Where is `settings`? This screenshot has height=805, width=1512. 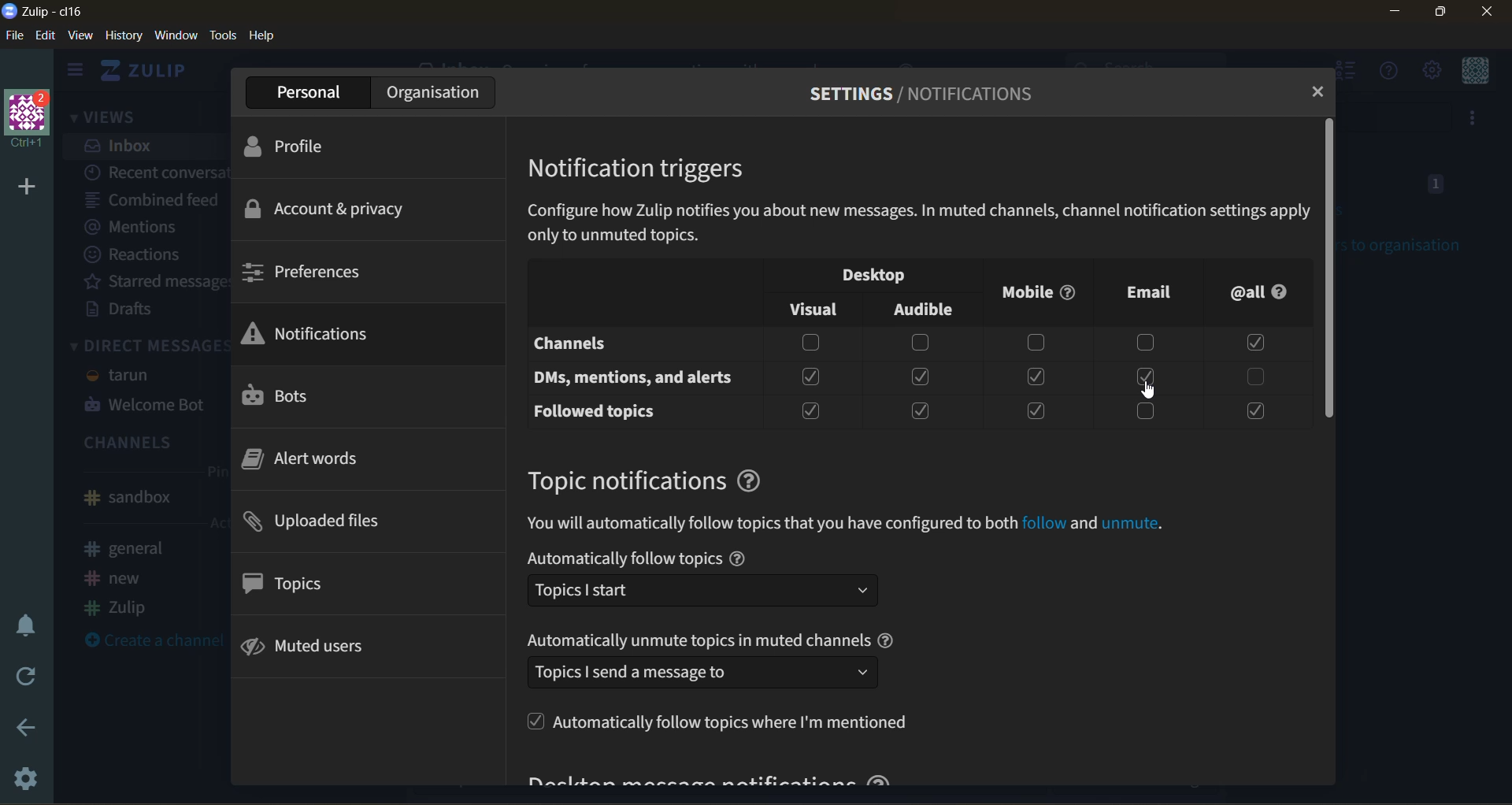
settings is located at coordinates (23, 782).